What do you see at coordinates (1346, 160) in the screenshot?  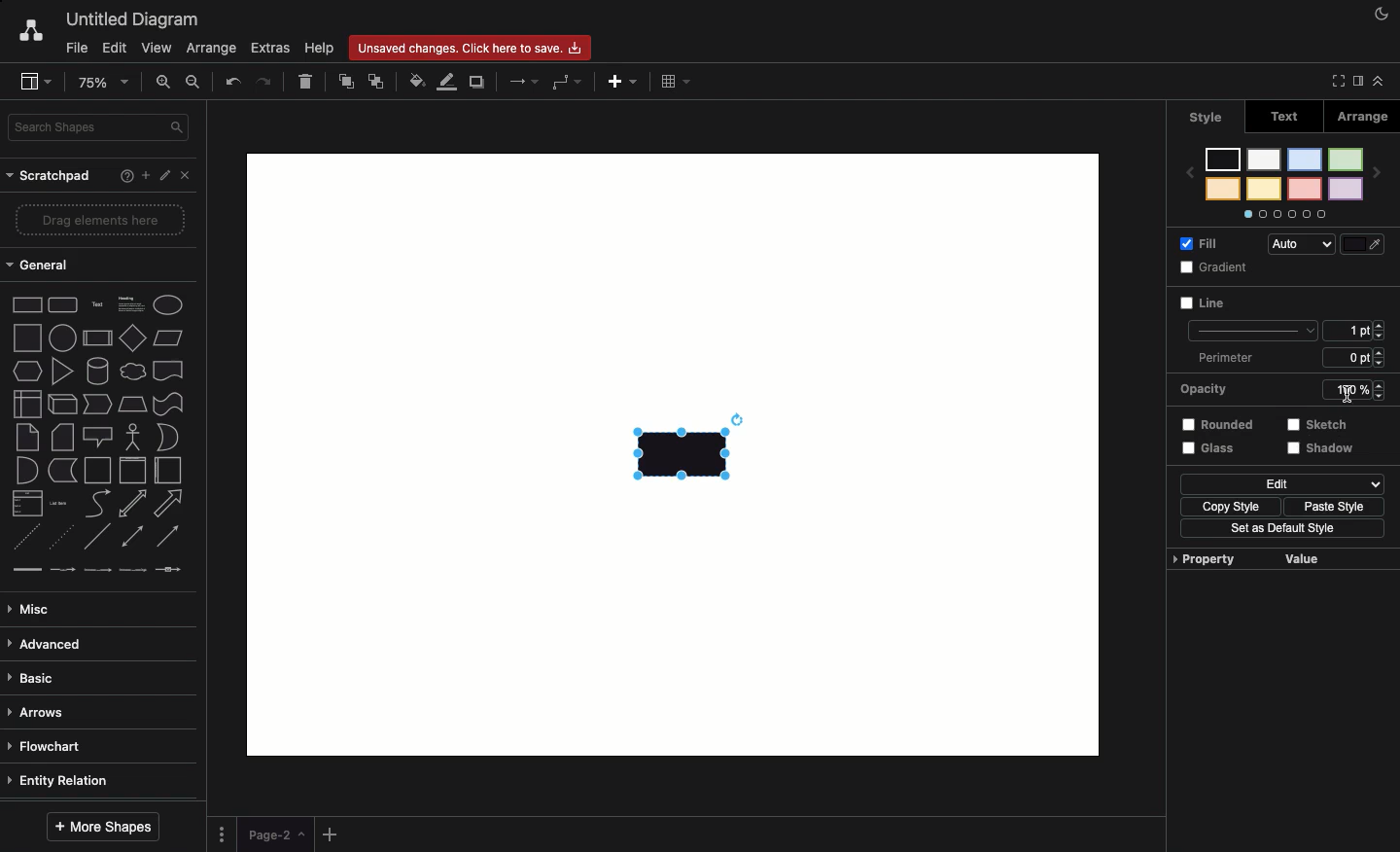 I see `color 1` at bounding box center [1346, 160].